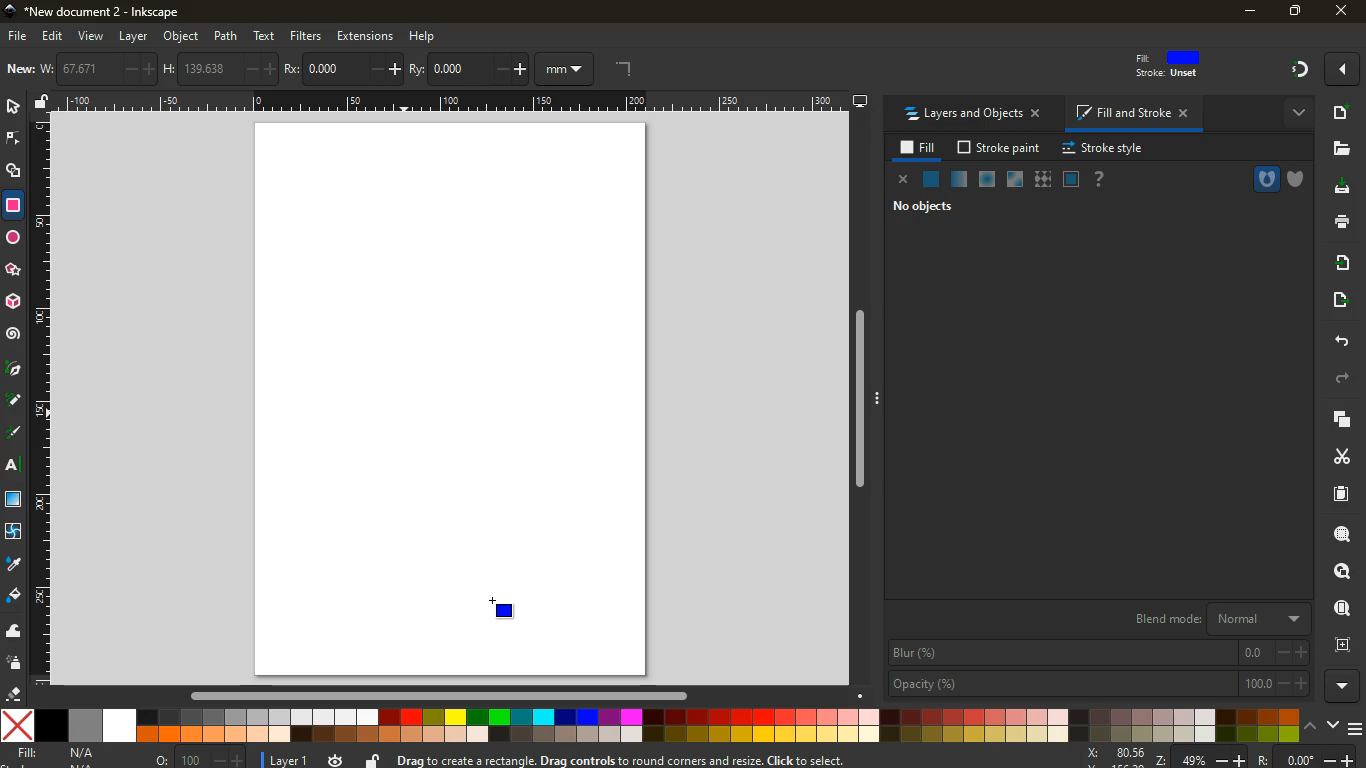  Describe the element at coordinates (860, 101) in the screenshot. I see `desktop` at that location.